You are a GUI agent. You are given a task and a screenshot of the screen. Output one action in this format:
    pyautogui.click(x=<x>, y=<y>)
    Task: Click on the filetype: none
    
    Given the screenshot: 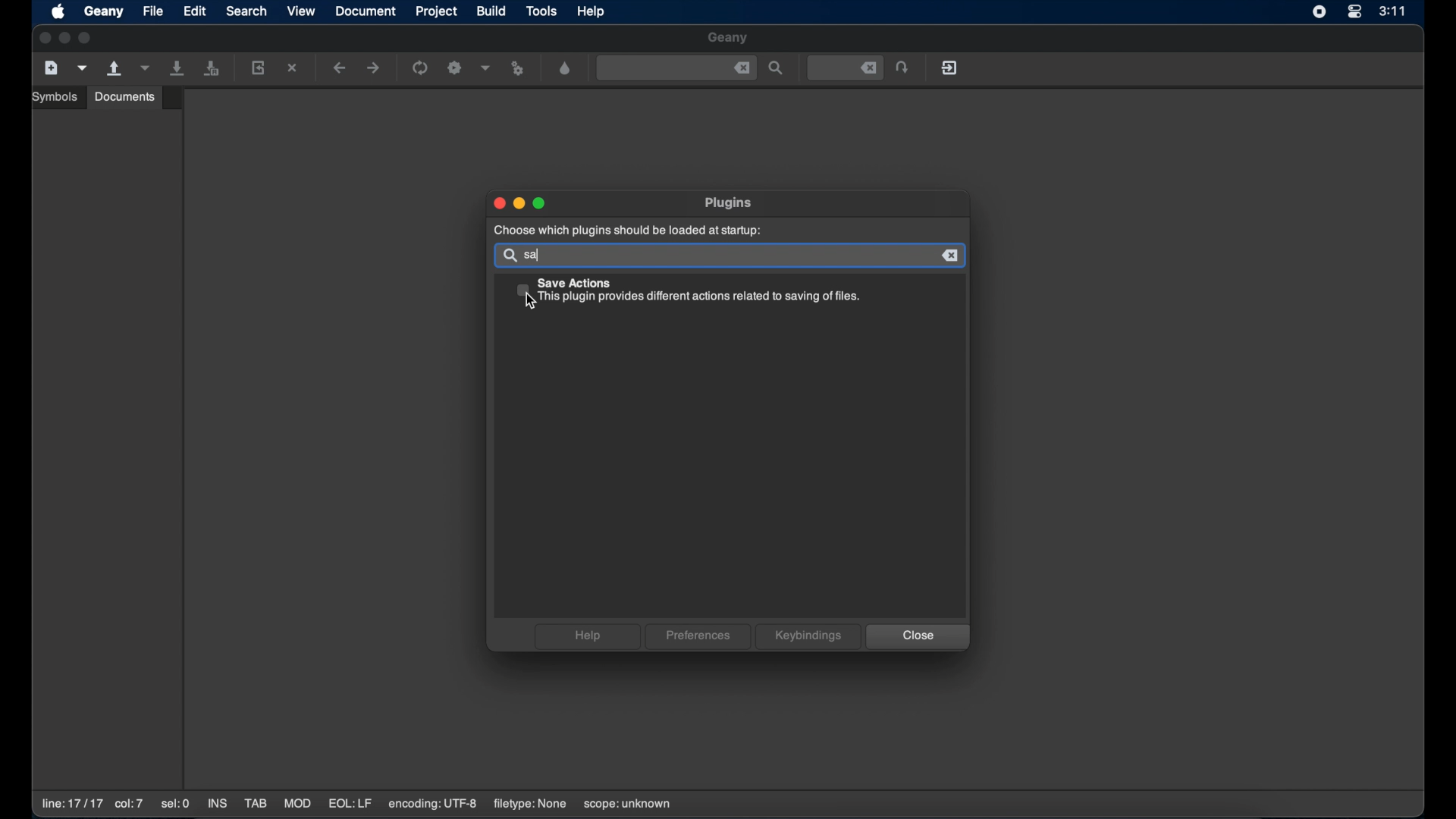 What is the action you would take?
    pyautogui.click(x=529, y=804)
    